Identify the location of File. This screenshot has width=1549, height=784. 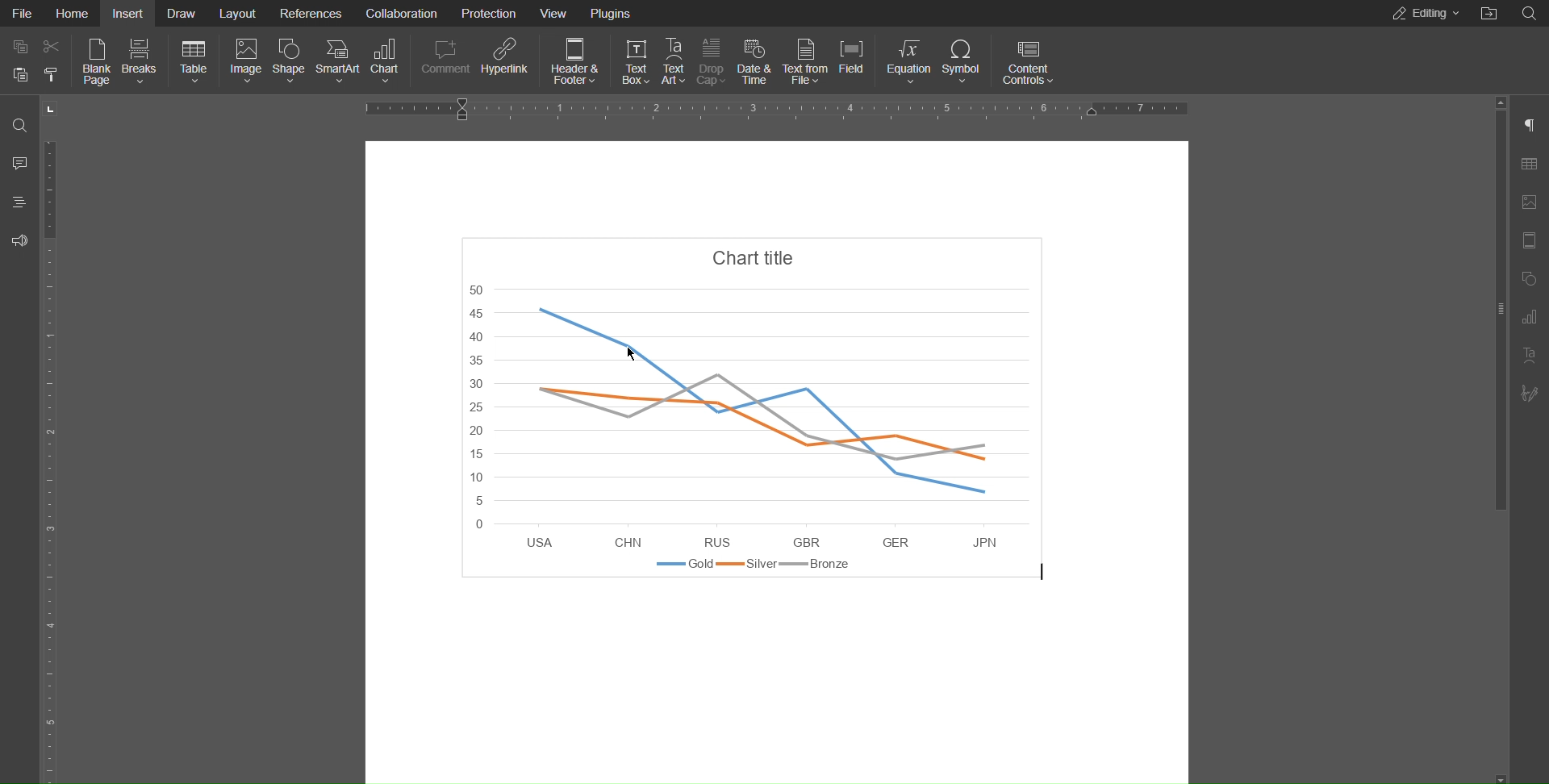
(24, 14).